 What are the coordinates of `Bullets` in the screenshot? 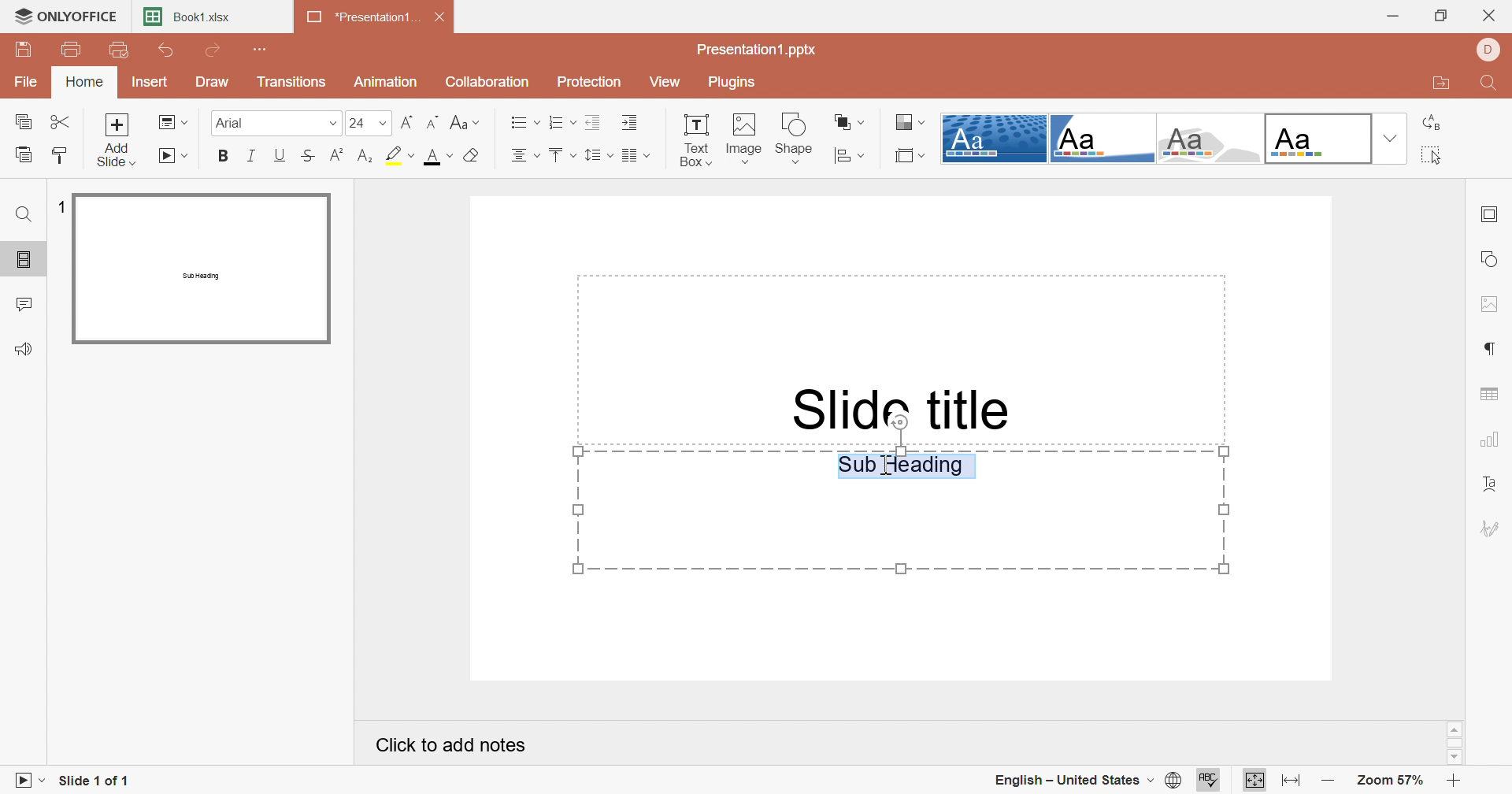 It's located at (522, 123).